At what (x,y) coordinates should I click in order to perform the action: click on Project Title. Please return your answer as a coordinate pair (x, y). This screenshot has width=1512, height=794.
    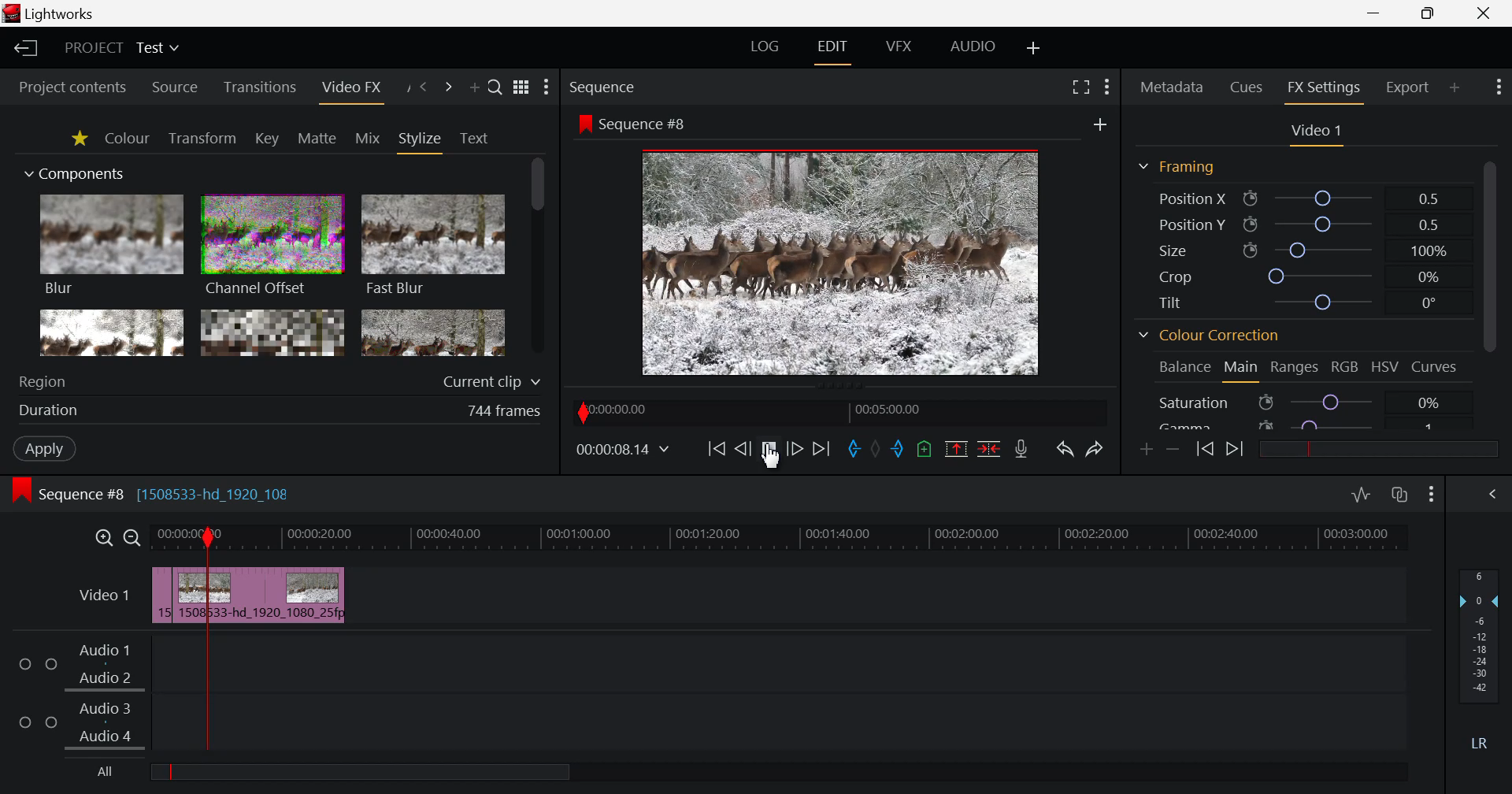
    Looking at the image, I should click on (124, 47).